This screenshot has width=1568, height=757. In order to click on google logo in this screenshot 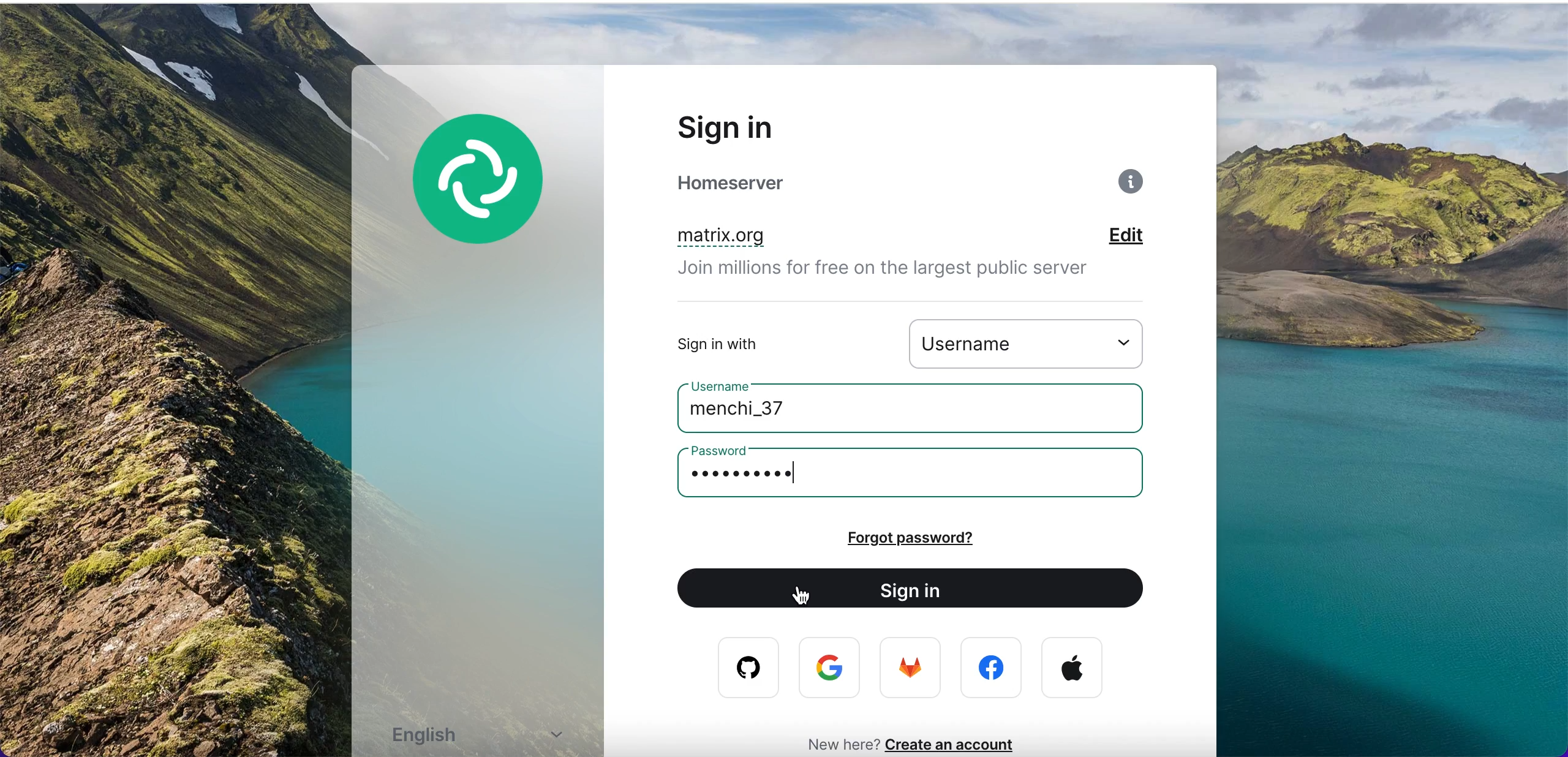, I will do `click(832, 669)`.